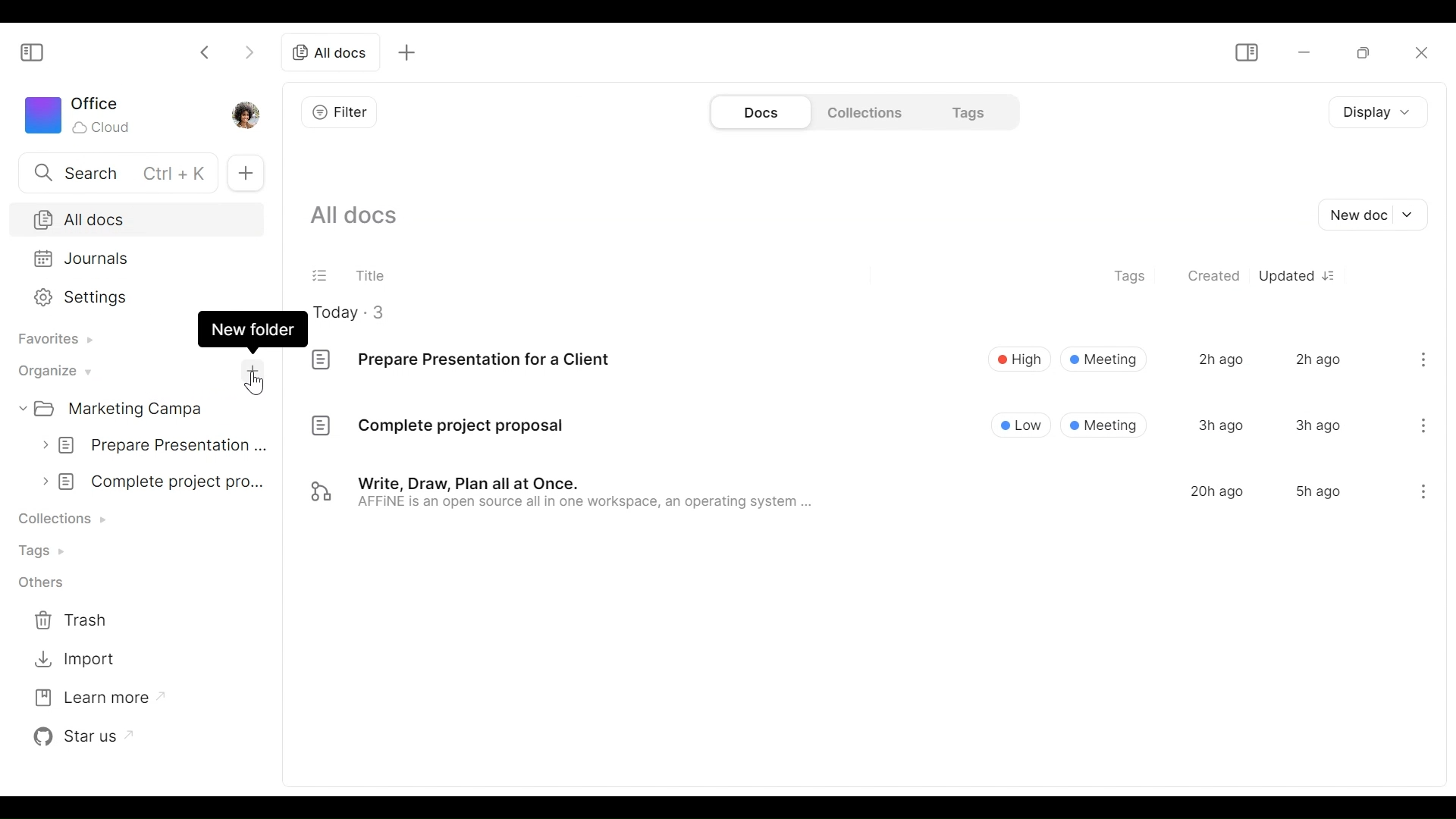 This screenshot has width=1456, height=819. Describe the element at coordinates (115, 171) in the screenshot. I see `Search` at that location.